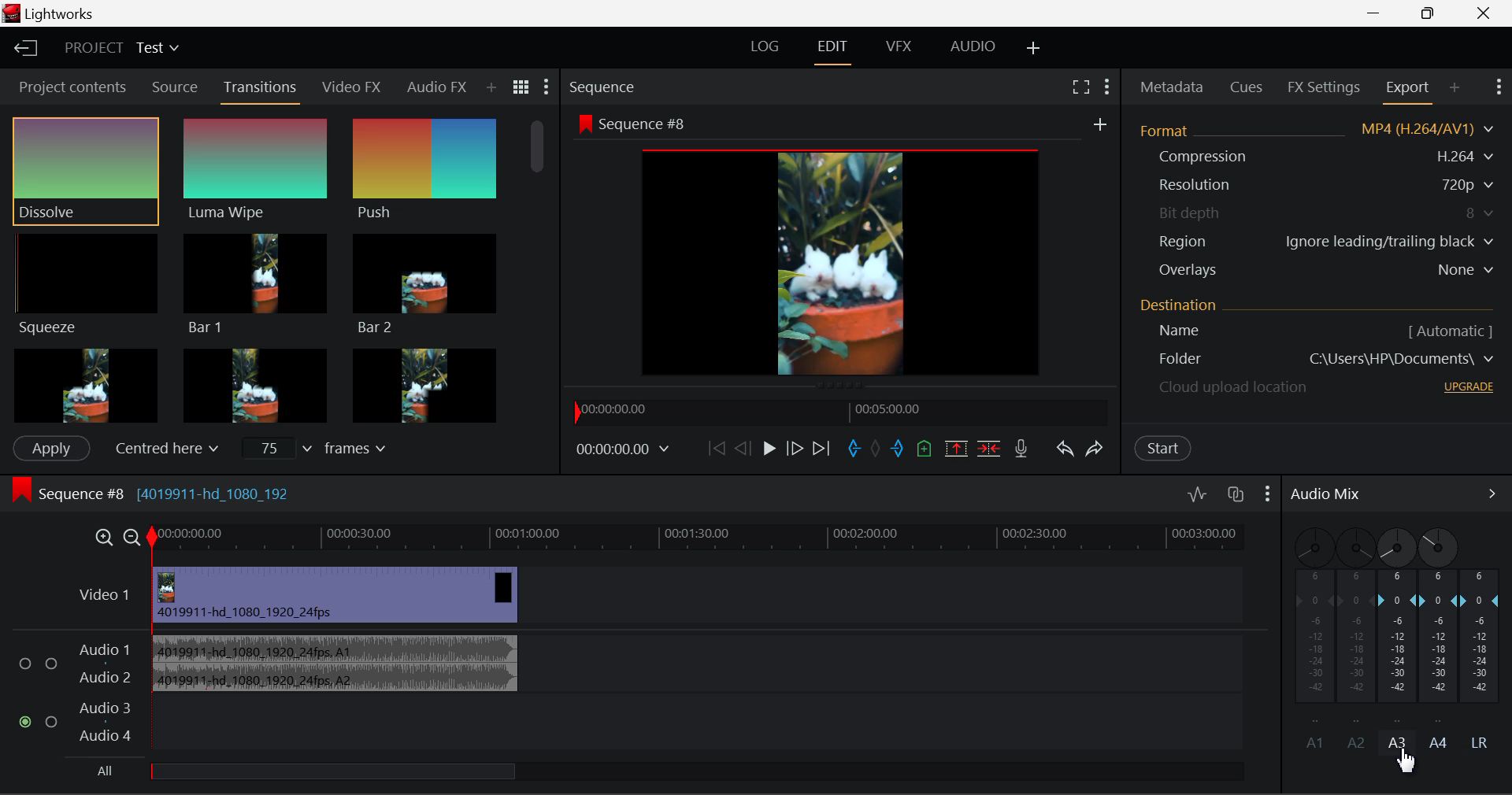 This screenshot has width=1512, height=795. Describe the element at coordinates (1320, 320) in the screenshot. I see `Destination Details` at that location.